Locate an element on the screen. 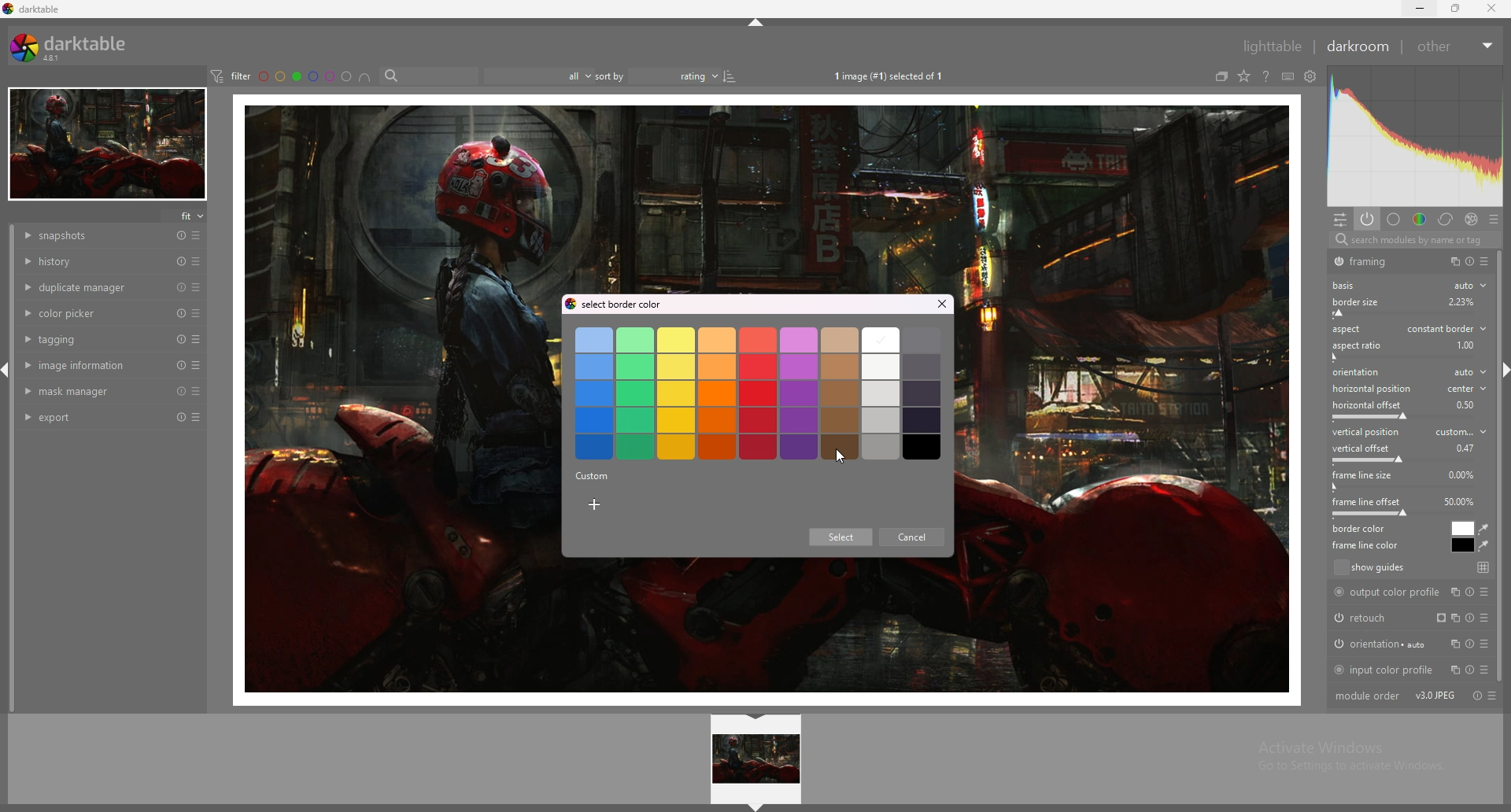 Image resolution: width=1511 pixels, height=812 pixels. aspect ratio bar is located at coordinates (1402, 357).